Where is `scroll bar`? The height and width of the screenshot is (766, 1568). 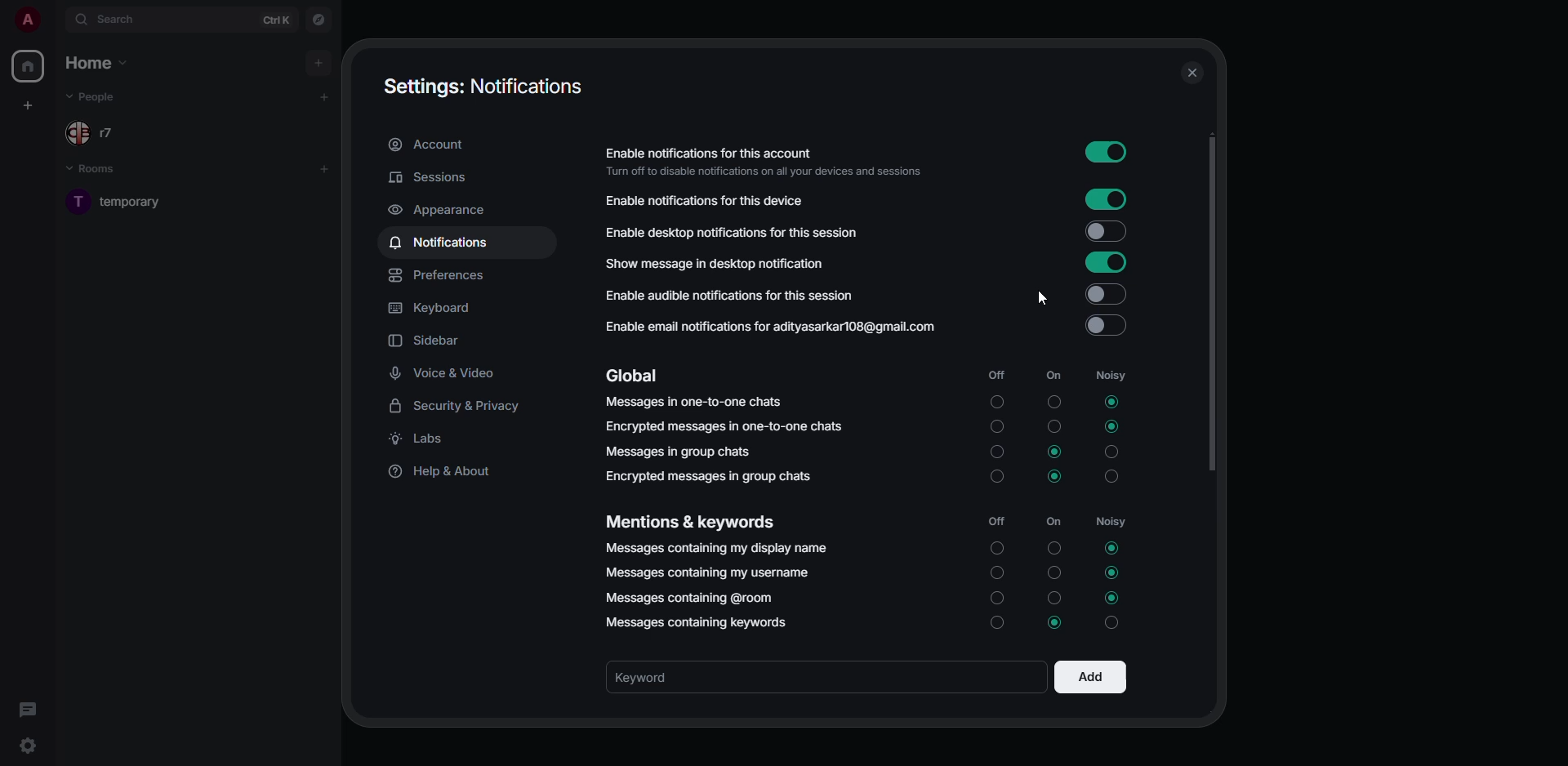
scroll bar is located at coordinates (1218, 305).